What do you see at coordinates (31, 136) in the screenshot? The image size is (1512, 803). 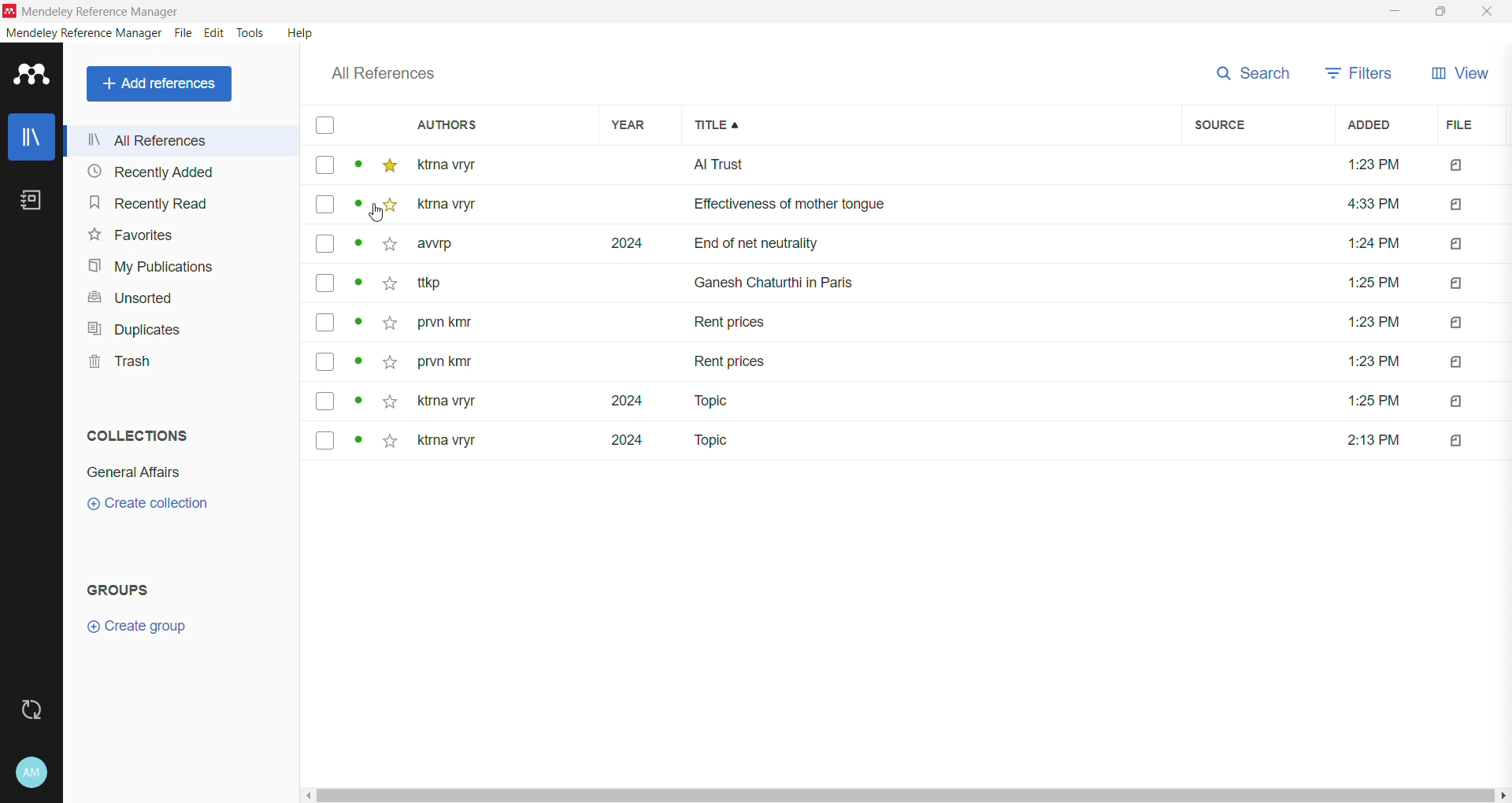 I see `Library` at bounding box center [31, 136].